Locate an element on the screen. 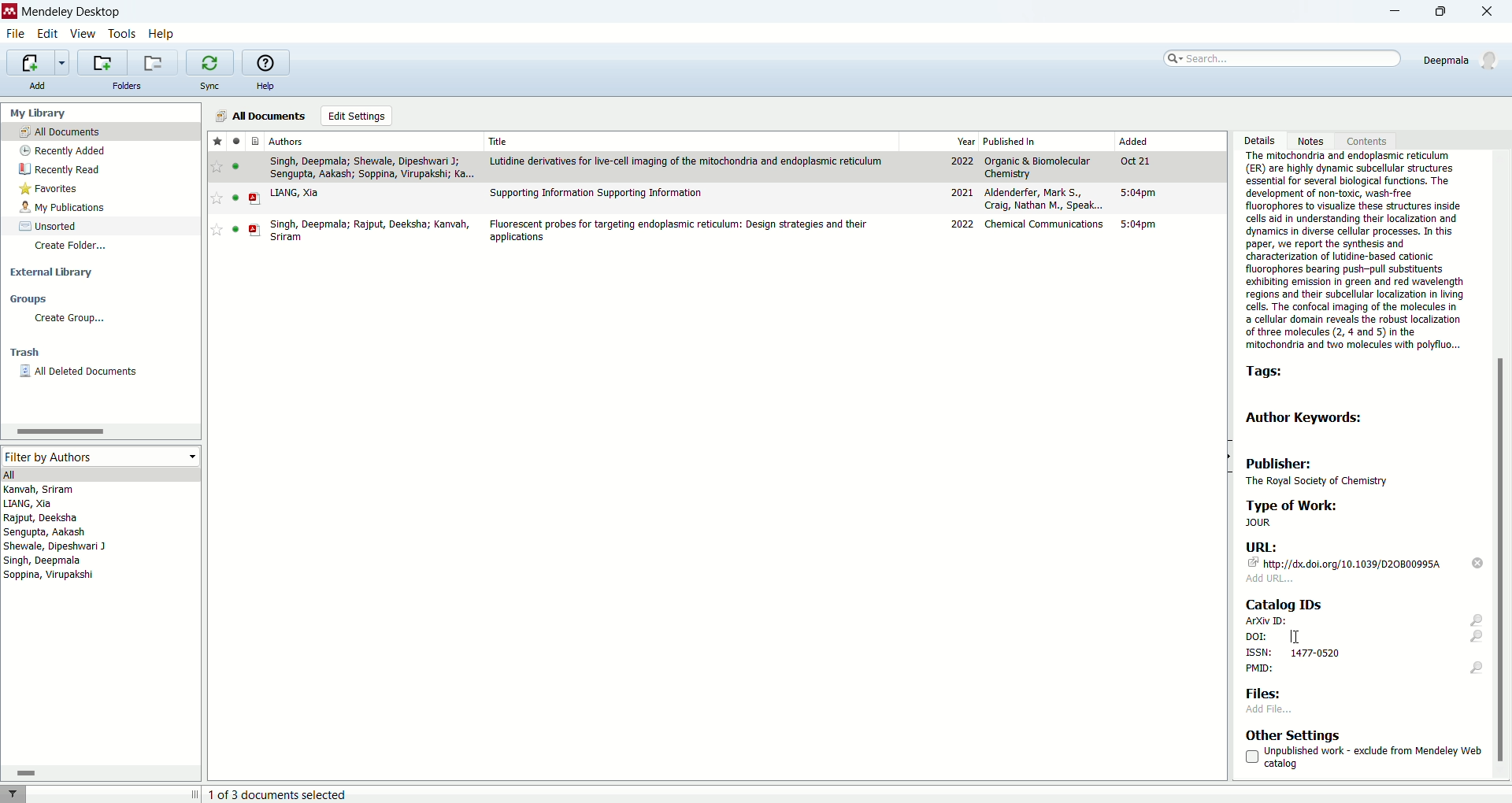  year is located at coordinates (966, 142).